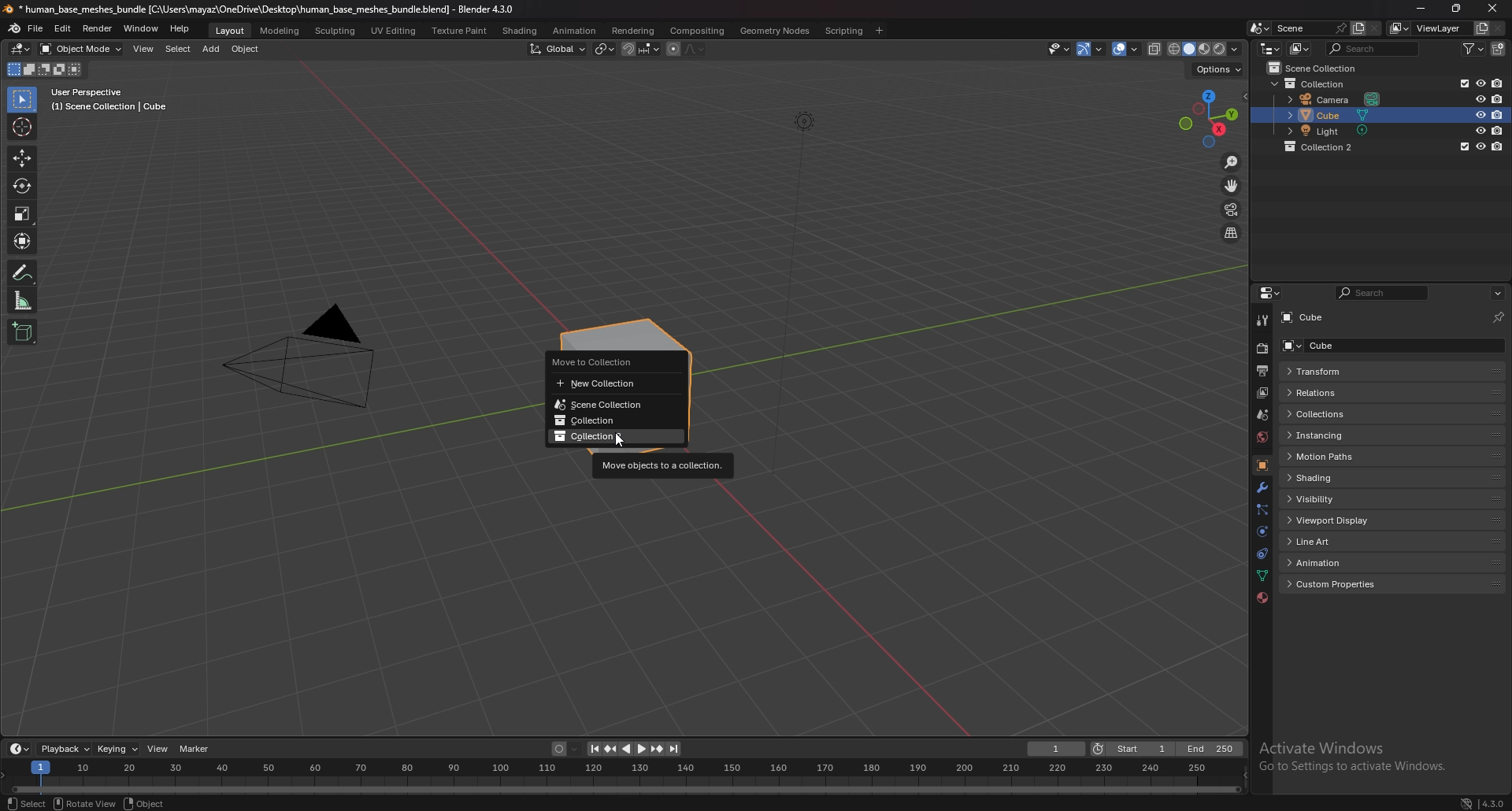  What do you see at coordinates (1421, 7) in the screenshot?
I see `minimize` at bounding box center [1421, 7].